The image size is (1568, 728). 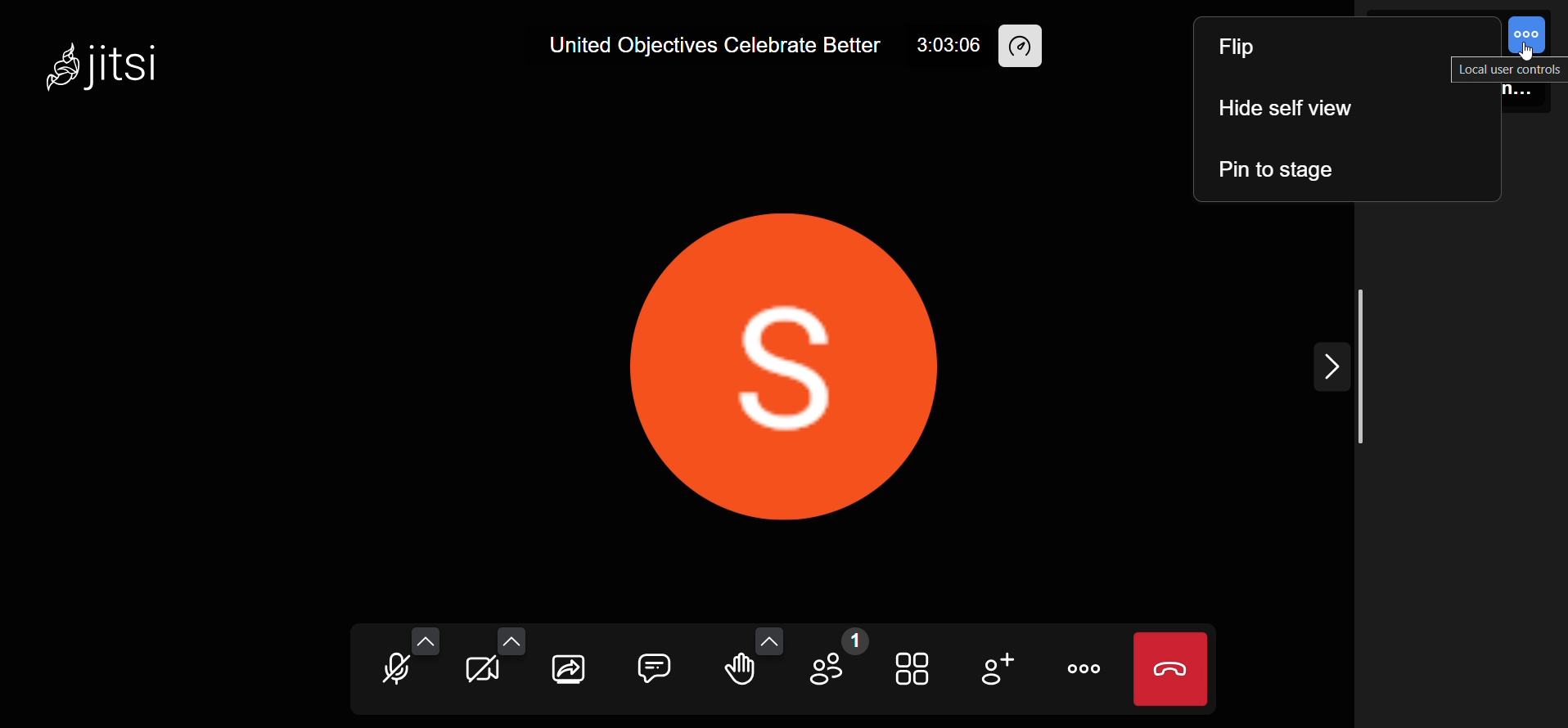 What do you see at coordinates (912, 667) in the screenshot?
I see `tile view` at bounding box center [912, 667].